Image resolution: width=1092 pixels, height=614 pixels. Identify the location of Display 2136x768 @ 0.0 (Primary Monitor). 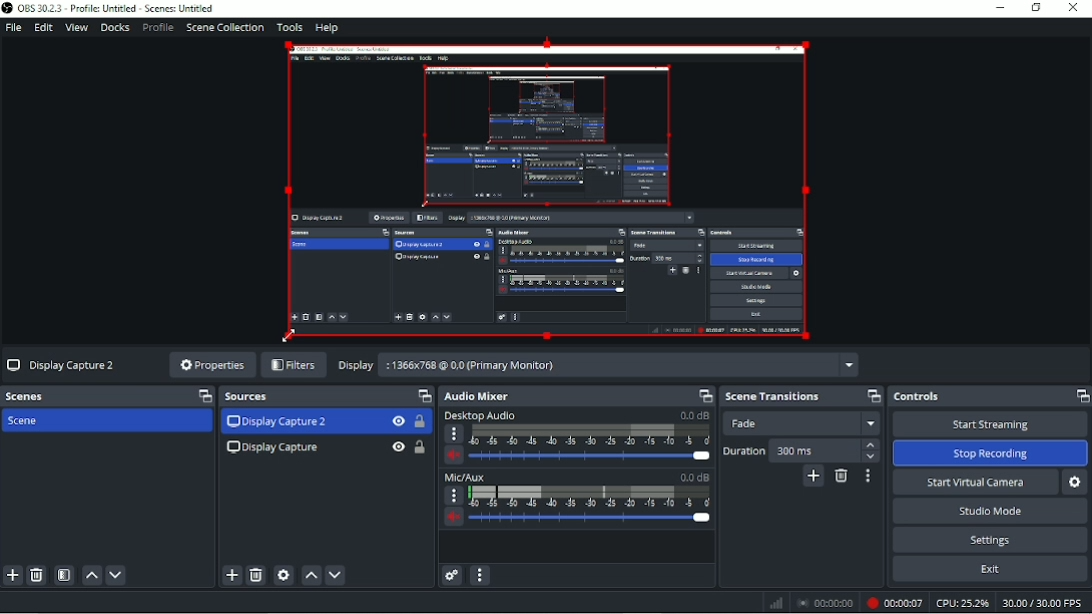
(598, 366).